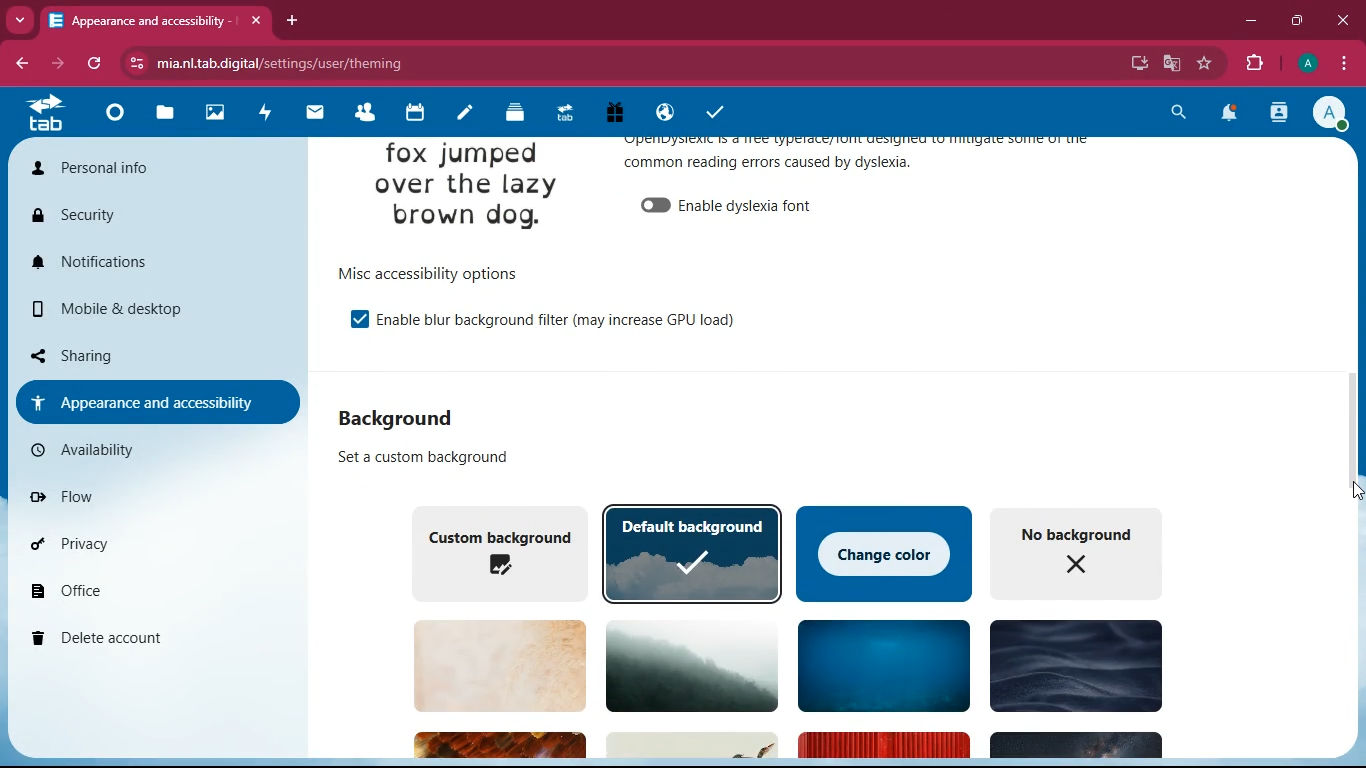  Describe the element at coordinates (148, 449) in the screenshot. I see `availability` at that location.